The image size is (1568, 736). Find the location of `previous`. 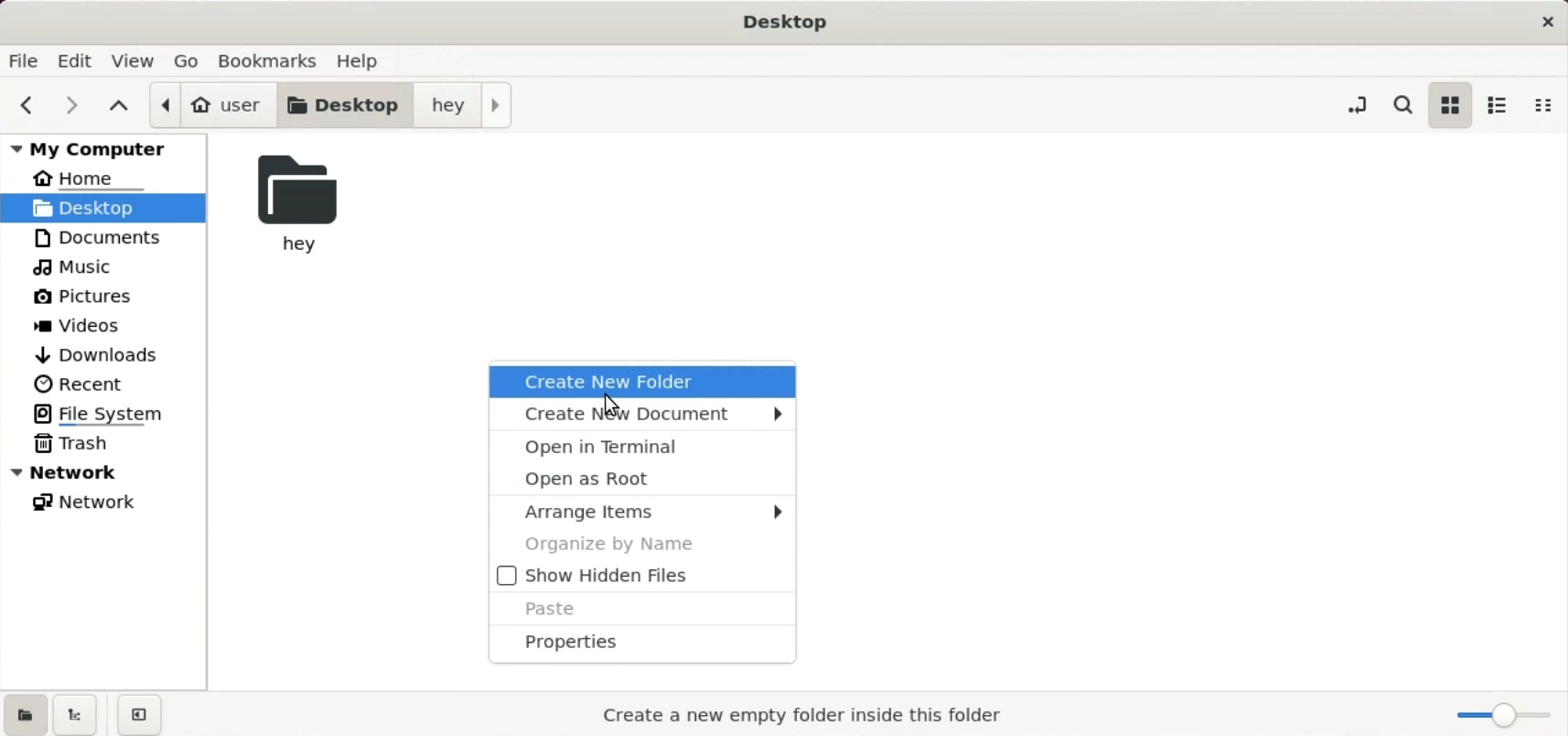

previous is located at coordinates (27, 104).